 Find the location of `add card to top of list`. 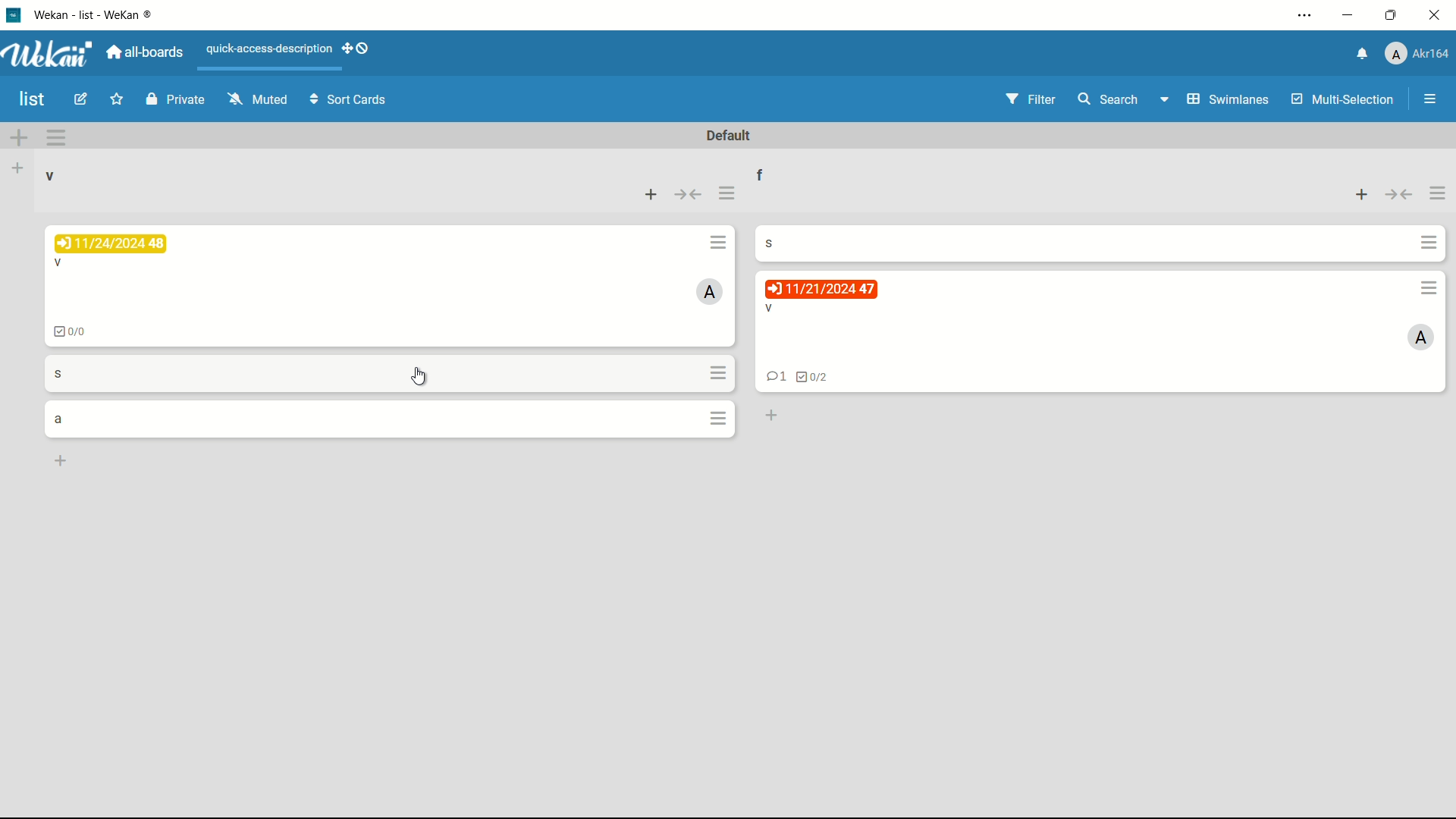

add card to top of list is located at coordinates (652, 195).